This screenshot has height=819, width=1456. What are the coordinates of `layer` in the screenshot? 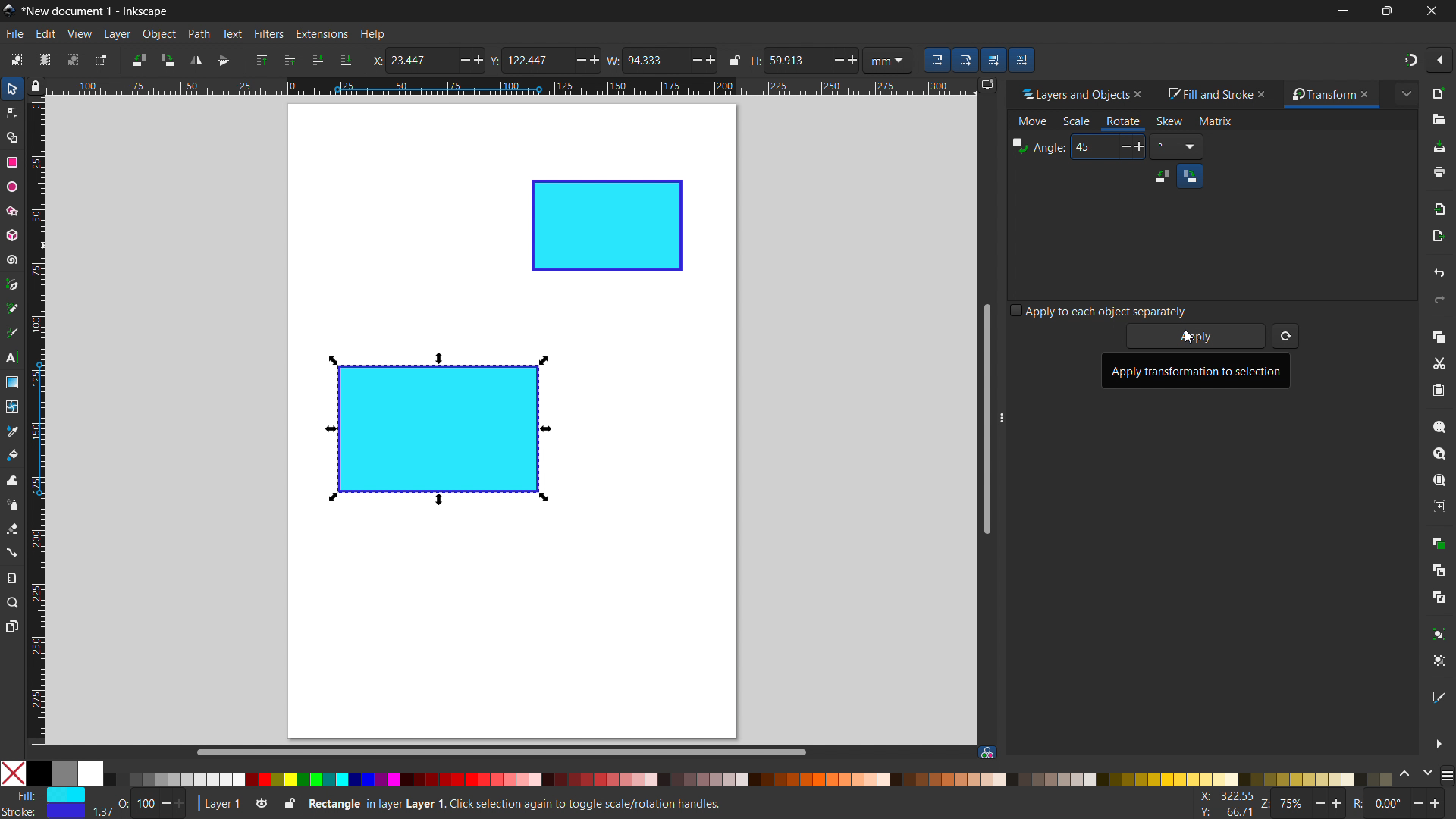 It's located at (117, 34).